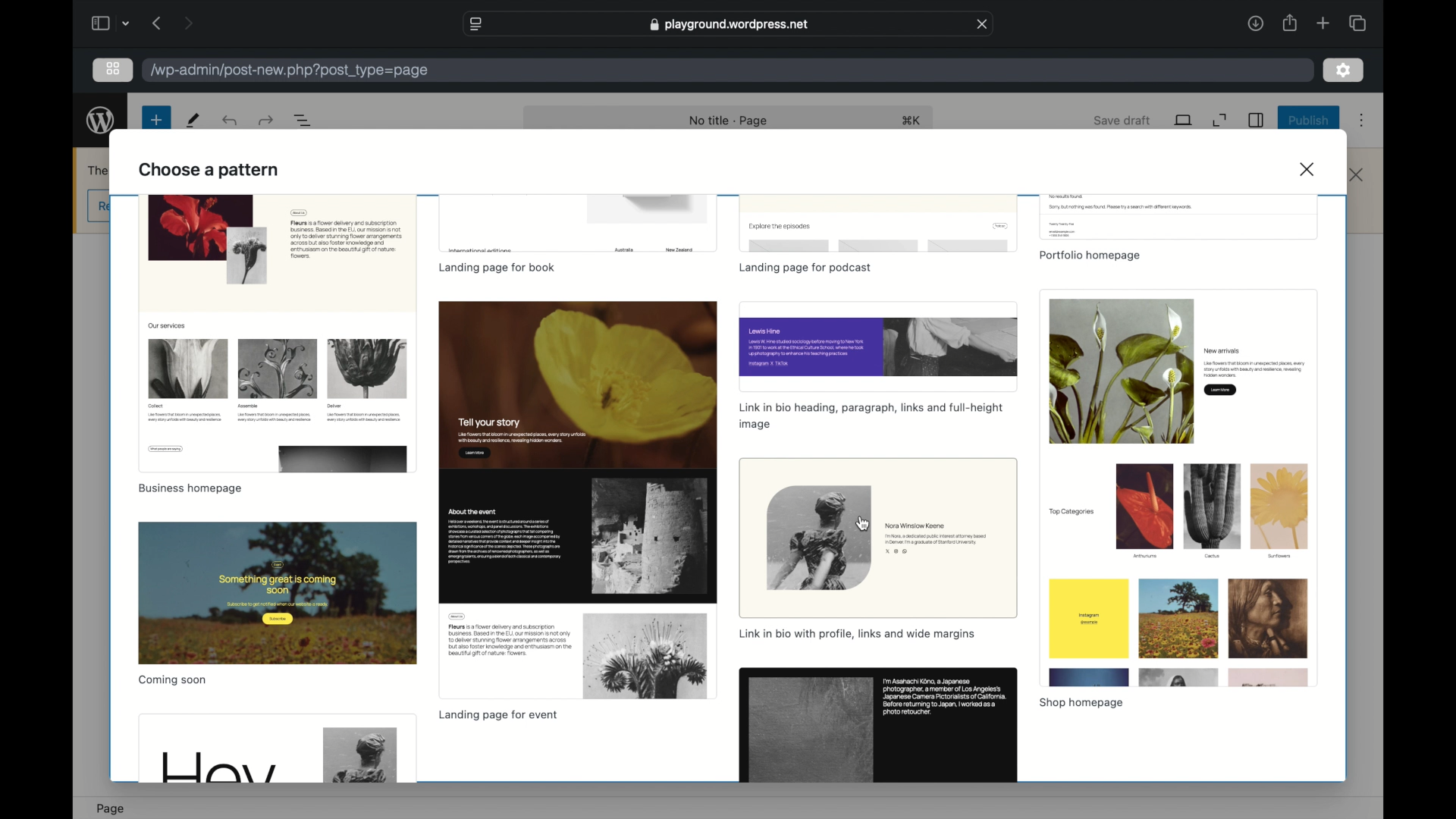 This screenshot has height=819, width=1456. I want to click on preview, so click(278, 333).